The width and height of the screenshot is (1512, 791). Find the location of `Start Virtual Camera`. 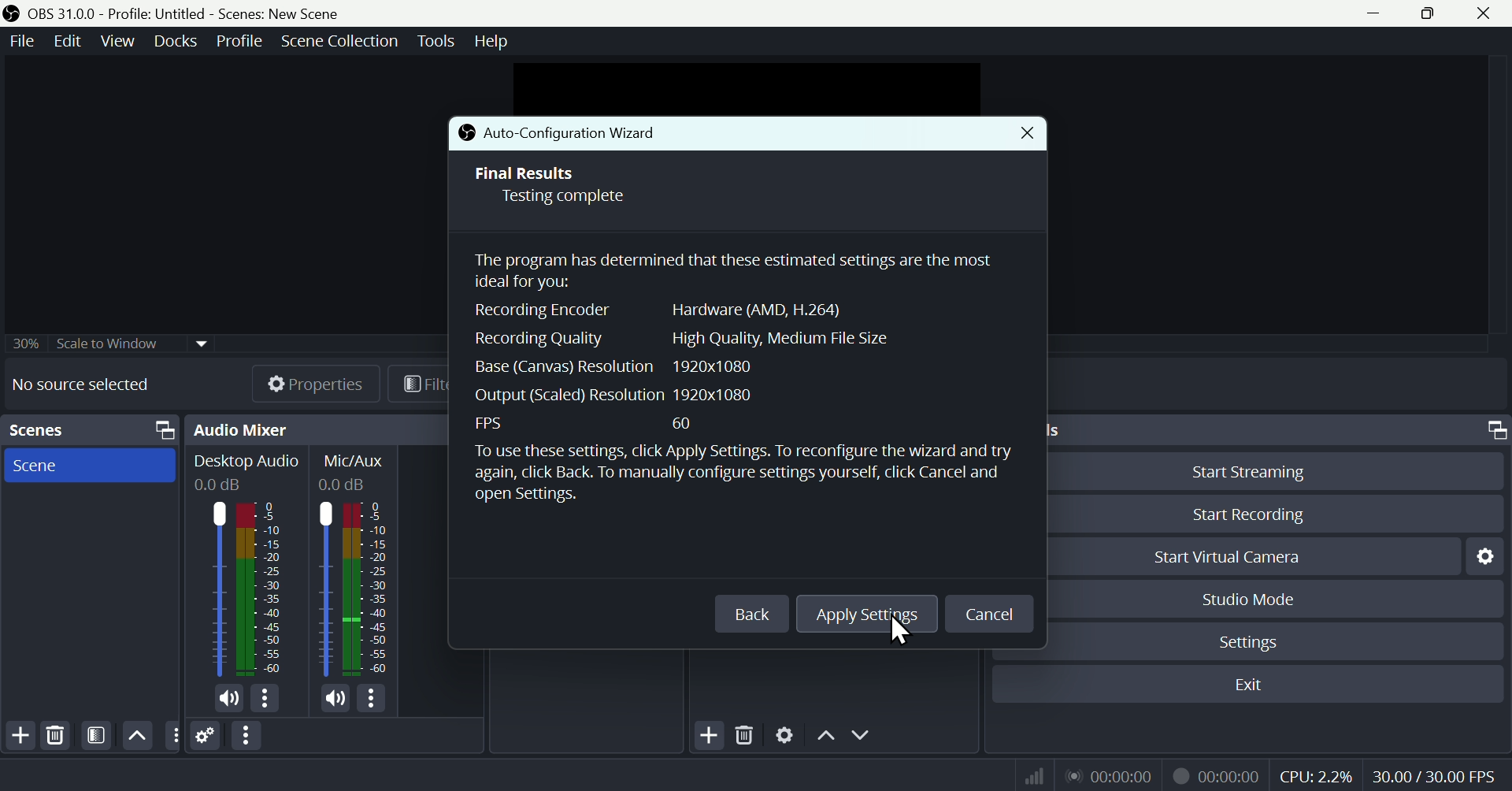

Start Virtual Camera is located at coordinates (1252, 555).